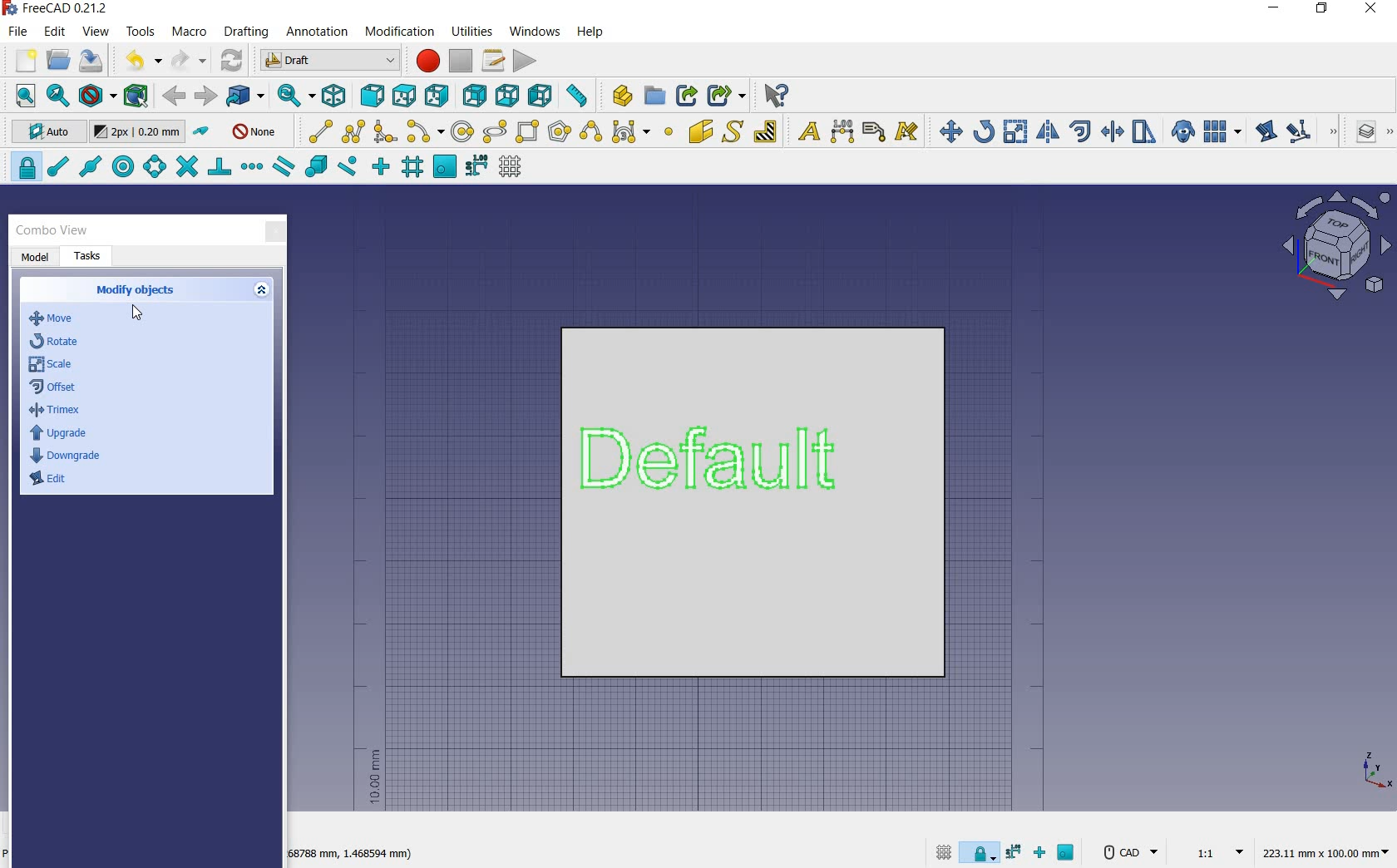 The width and height of the screenshot is (1397, 868). Describe the element at coordinates (61, 319) in the screenshot. I see `move` at that location.